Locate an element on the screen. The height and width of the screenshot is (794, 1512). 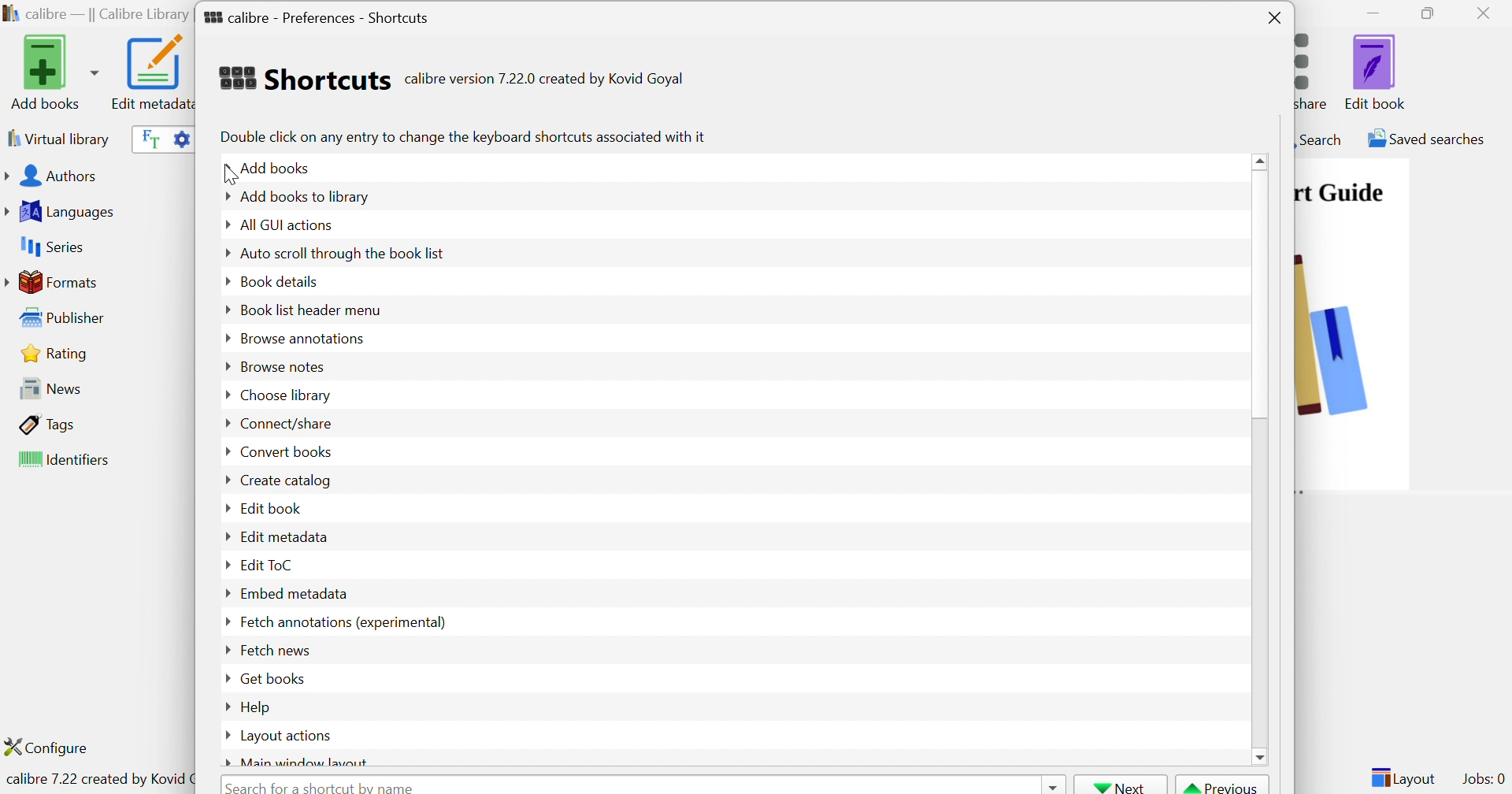
Add books is located at coordinates (52, 72).